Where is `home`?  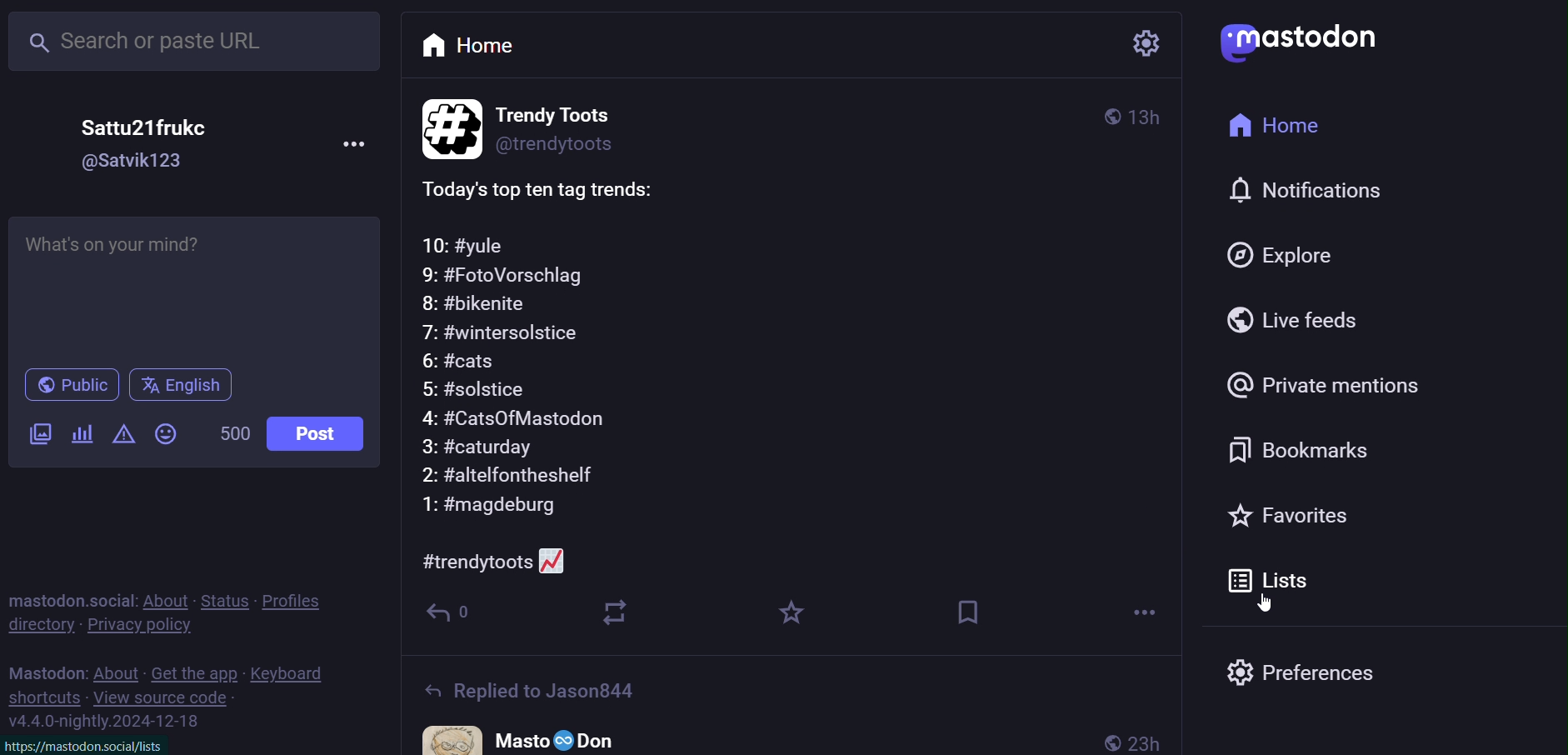 home is located at coordinates (461, 47).